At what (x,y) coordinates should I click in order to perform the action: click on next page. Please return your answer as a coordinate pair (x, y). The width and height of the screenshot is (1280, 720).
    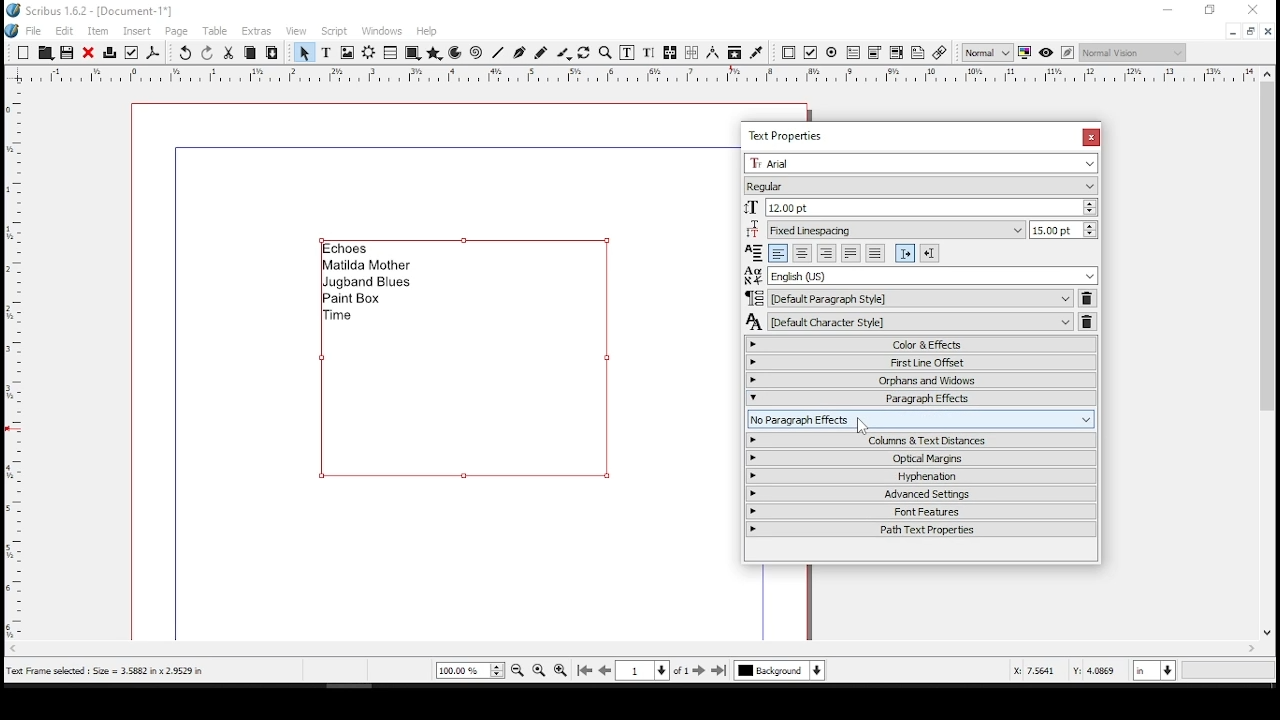
    Looking at the image, I should click on (699, 670).